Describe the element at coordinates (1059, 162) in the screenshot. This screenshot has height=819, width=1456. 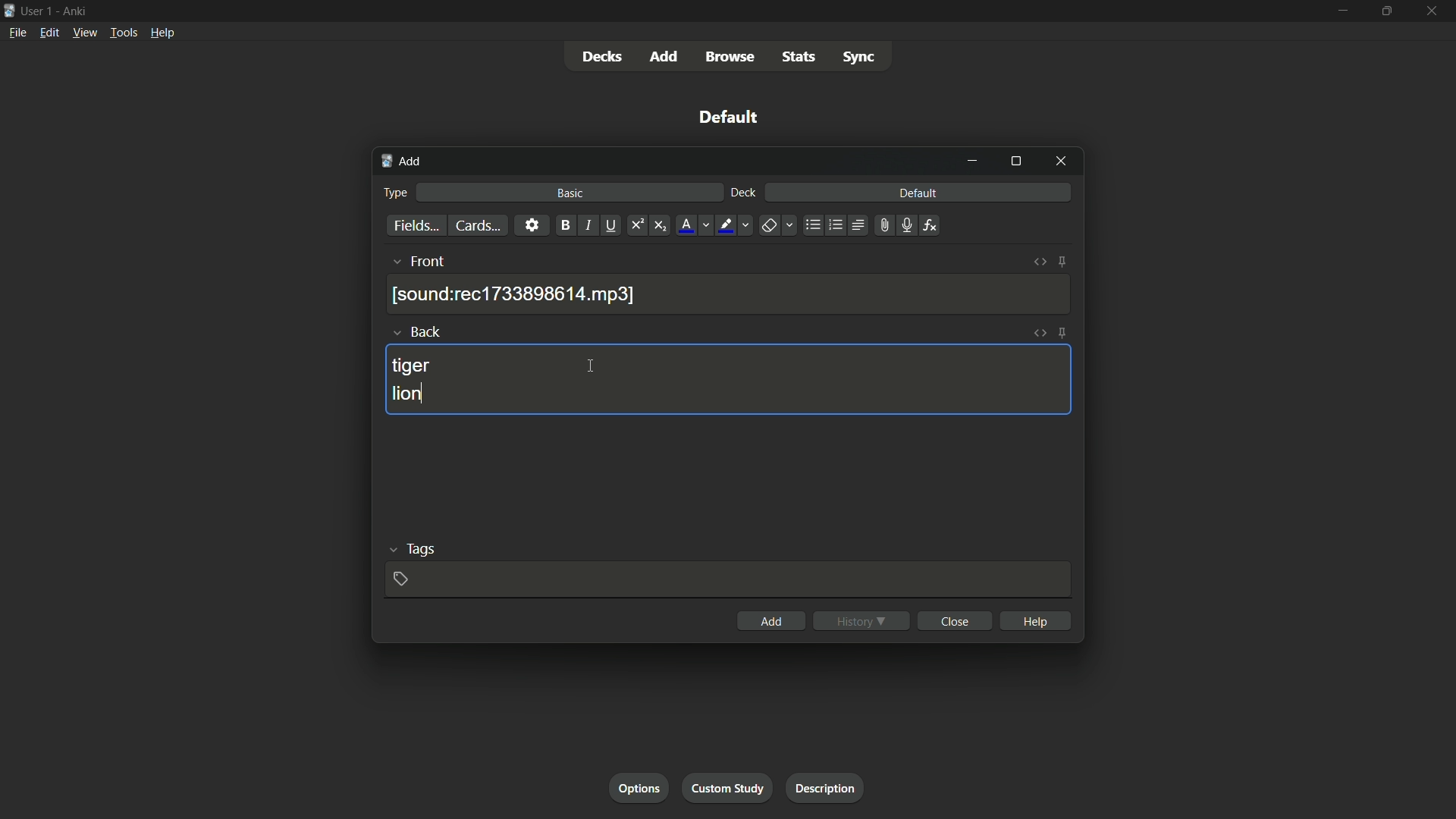
I see `close window` at that location.